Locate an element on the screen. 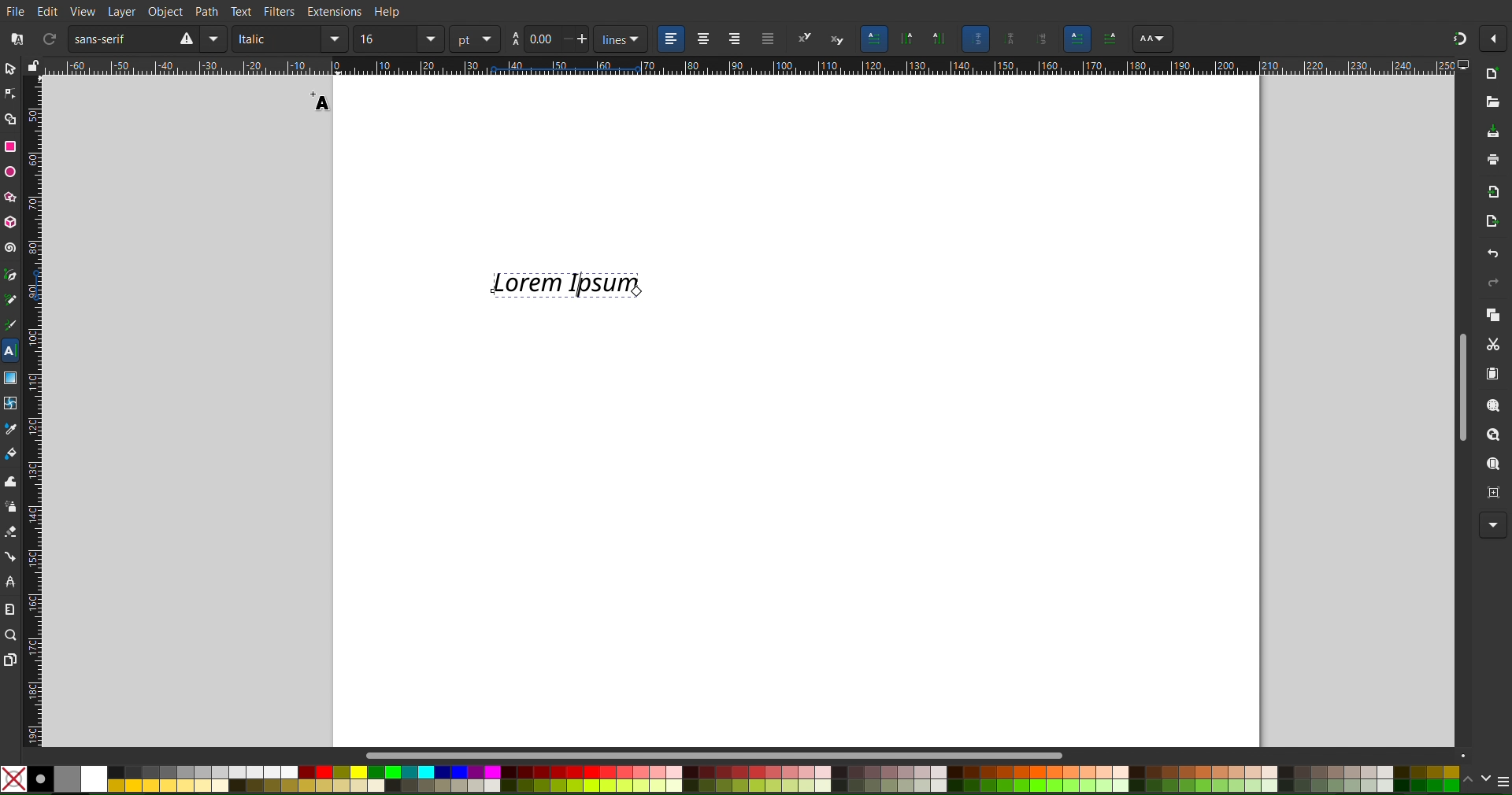  Font Collection is located at coordinates (15, 39).